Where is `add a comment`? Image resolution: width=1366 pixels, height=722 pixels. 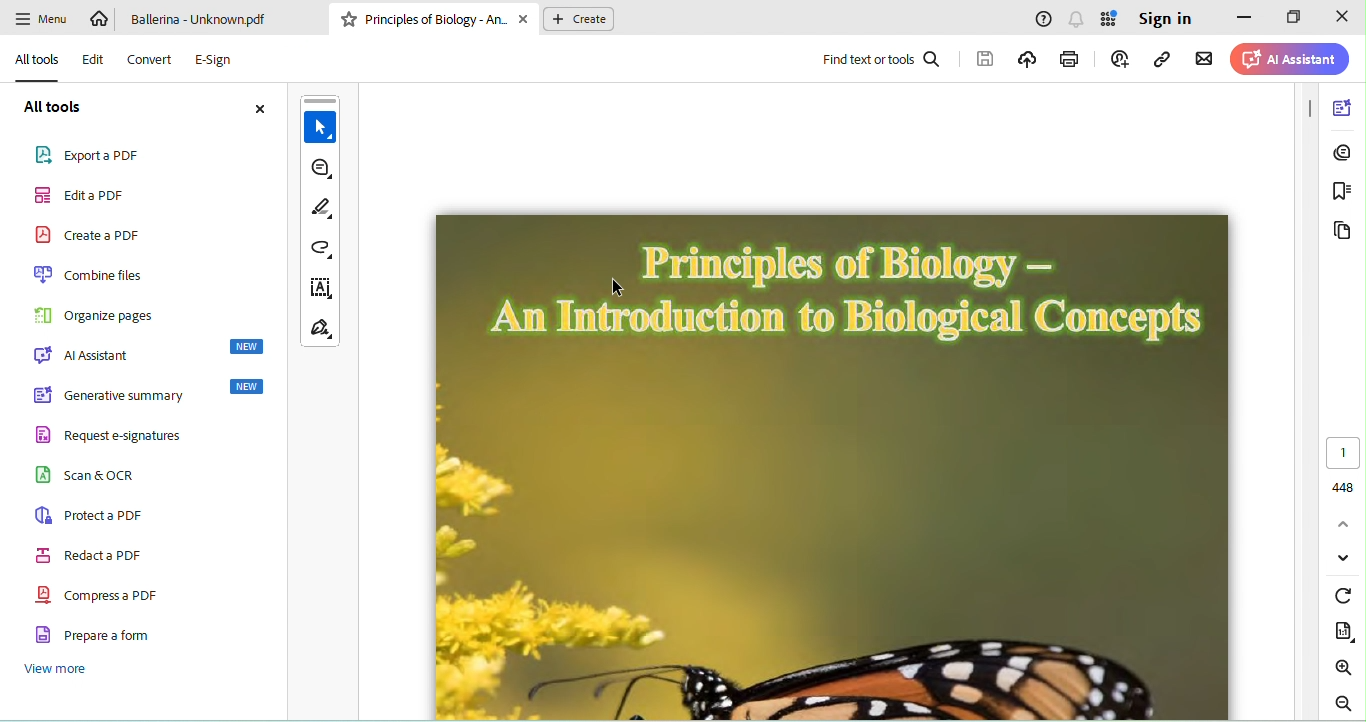 add a comment is located at coordinates (320, 171).